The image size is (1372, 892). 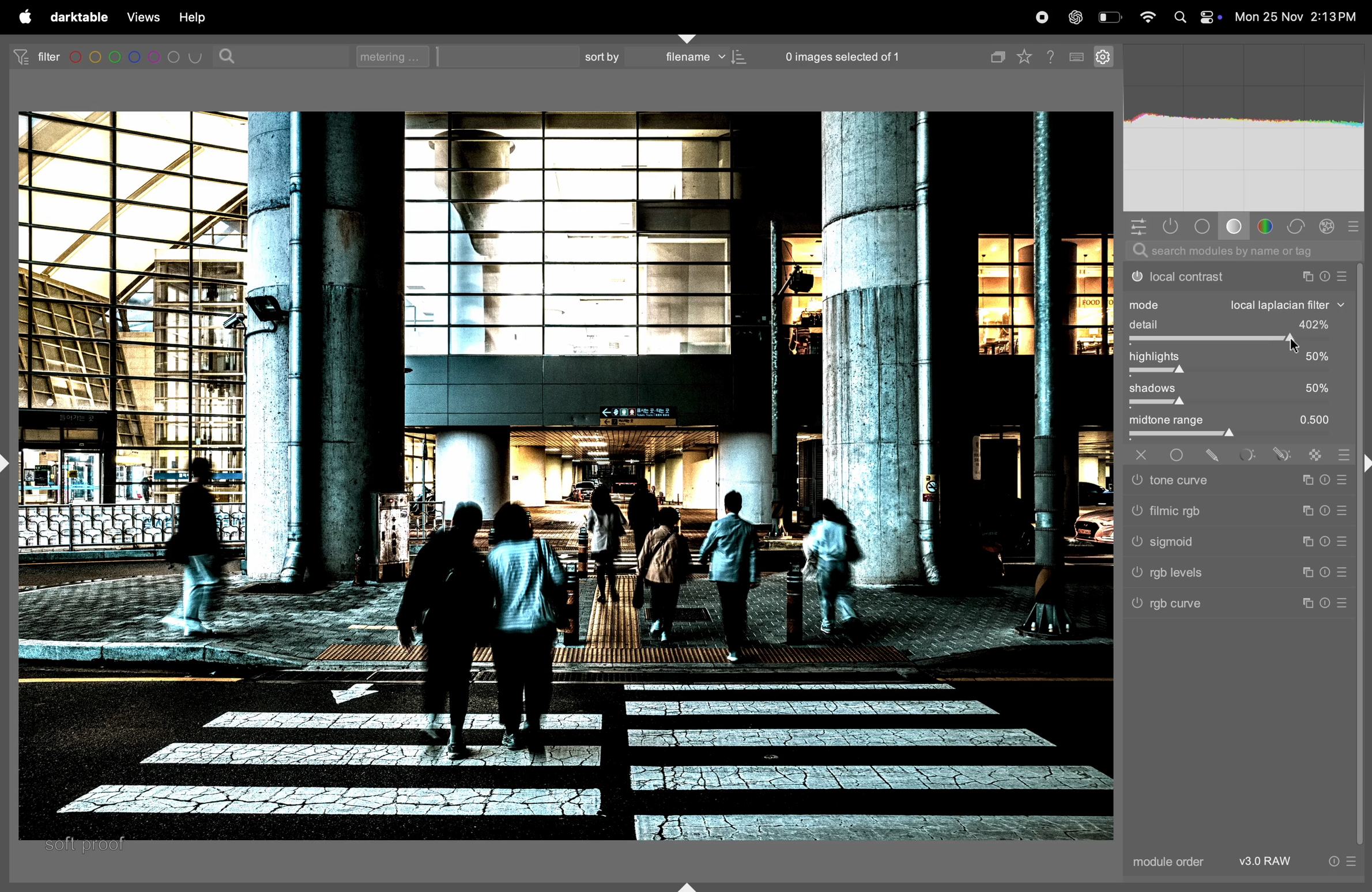 I want to click on local contrast, so click(x=1235, y=276).